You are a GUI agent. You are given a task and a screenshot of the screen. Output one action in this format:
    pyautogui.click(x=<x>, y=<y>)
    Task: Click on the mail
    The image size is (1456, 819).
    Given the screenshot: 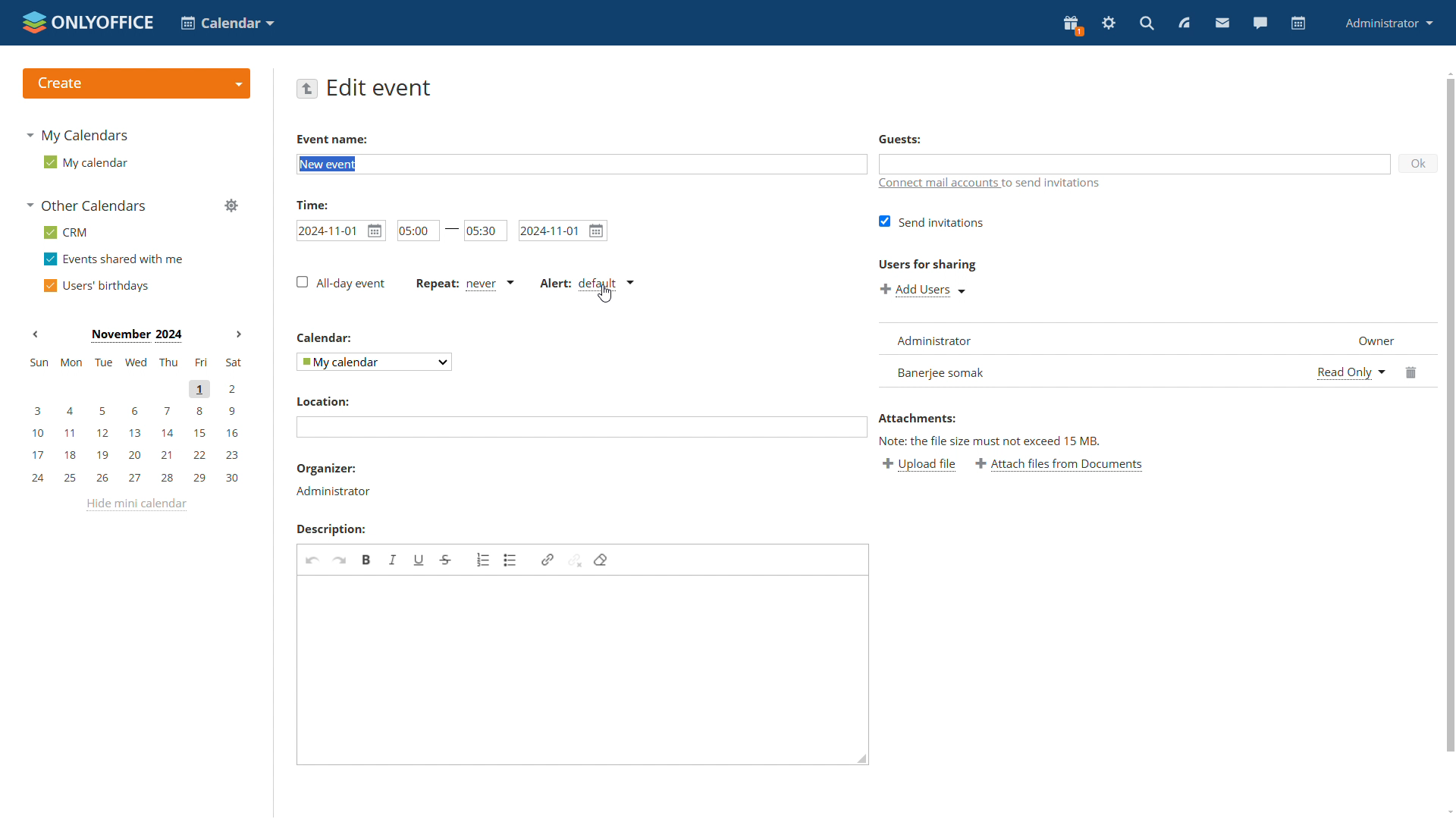 What is the action you would take?
    pyautogui.click(x=1221, y=23)
    